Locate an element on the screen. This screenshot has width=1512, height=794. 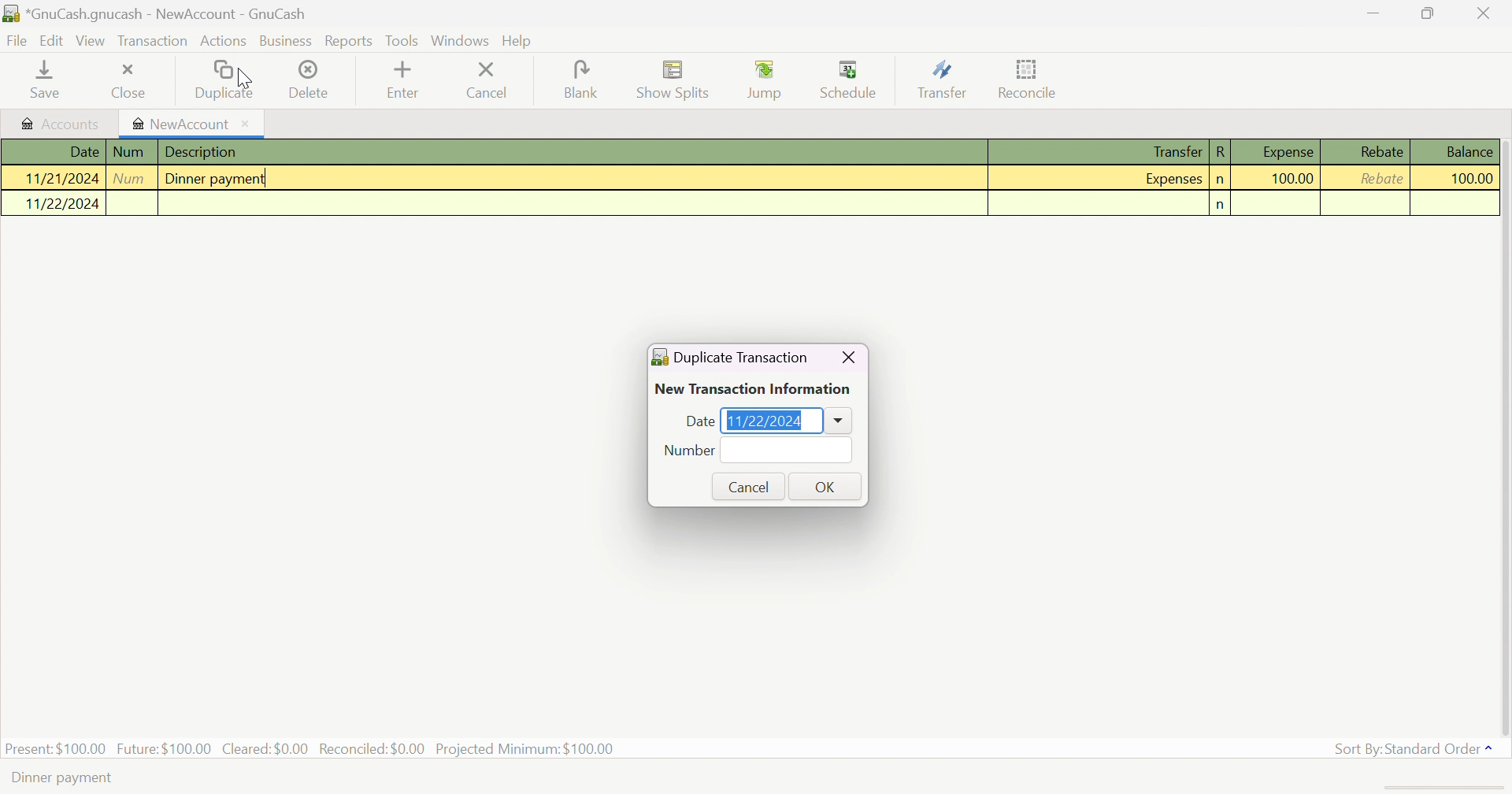
n is located at coordinates (1224, 205).